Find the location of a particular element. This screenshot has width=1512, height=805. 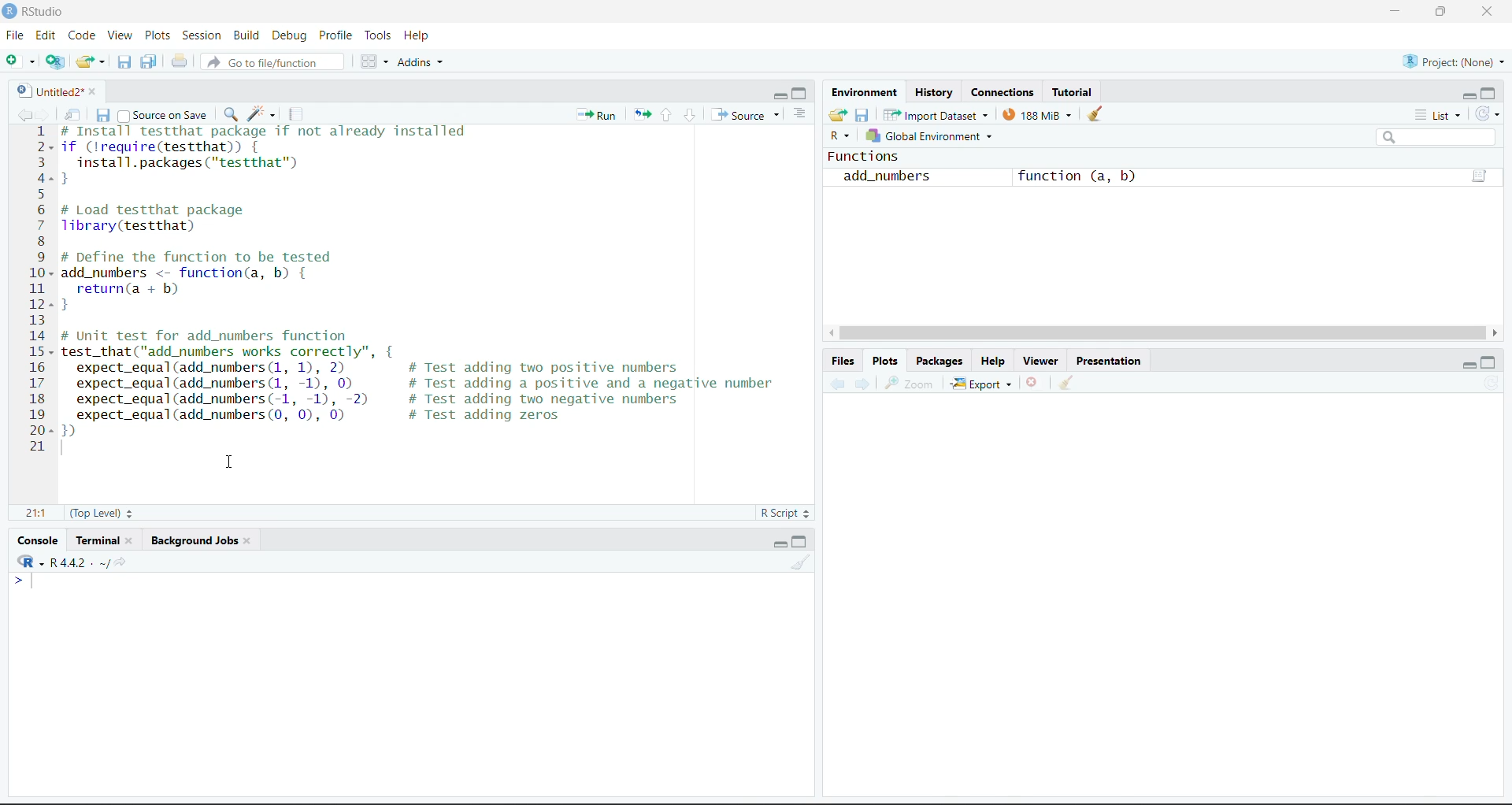

line number is located at coordinates (43, 288).